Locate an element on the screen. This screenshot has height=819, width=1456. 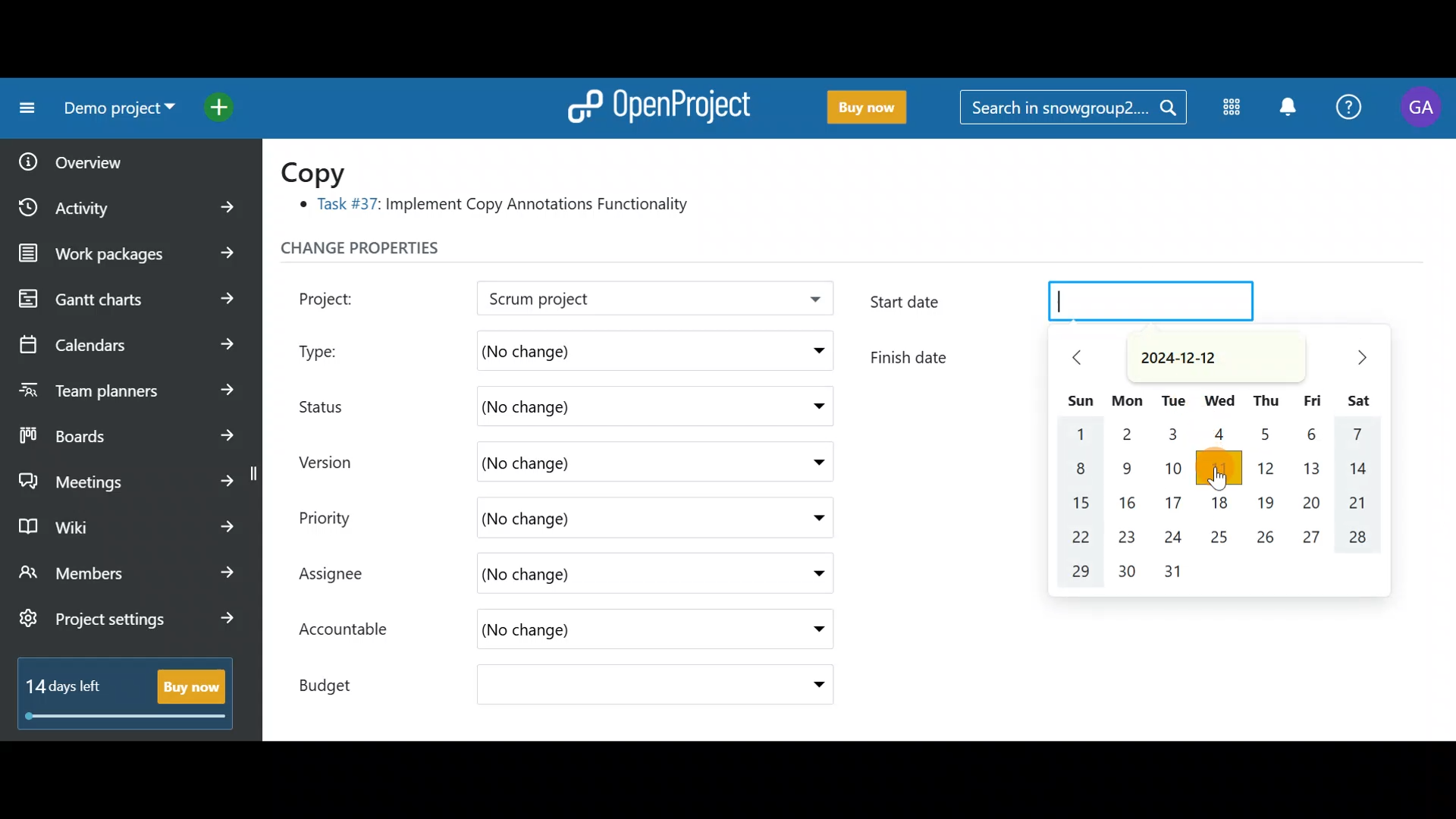
Status is located at coordinates (334, 404).